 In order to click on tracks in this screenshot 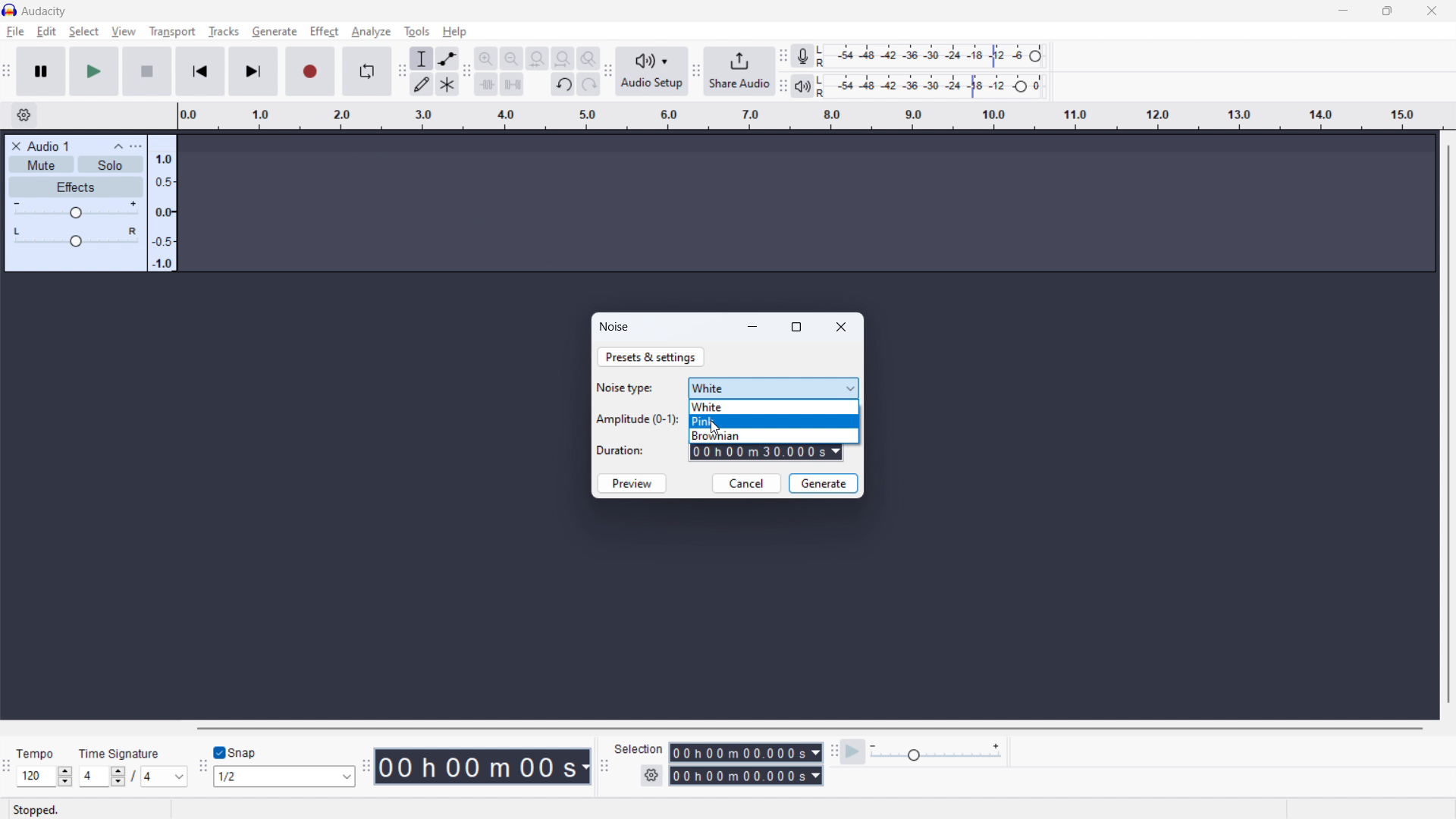, I will do `click(223, 32)`.